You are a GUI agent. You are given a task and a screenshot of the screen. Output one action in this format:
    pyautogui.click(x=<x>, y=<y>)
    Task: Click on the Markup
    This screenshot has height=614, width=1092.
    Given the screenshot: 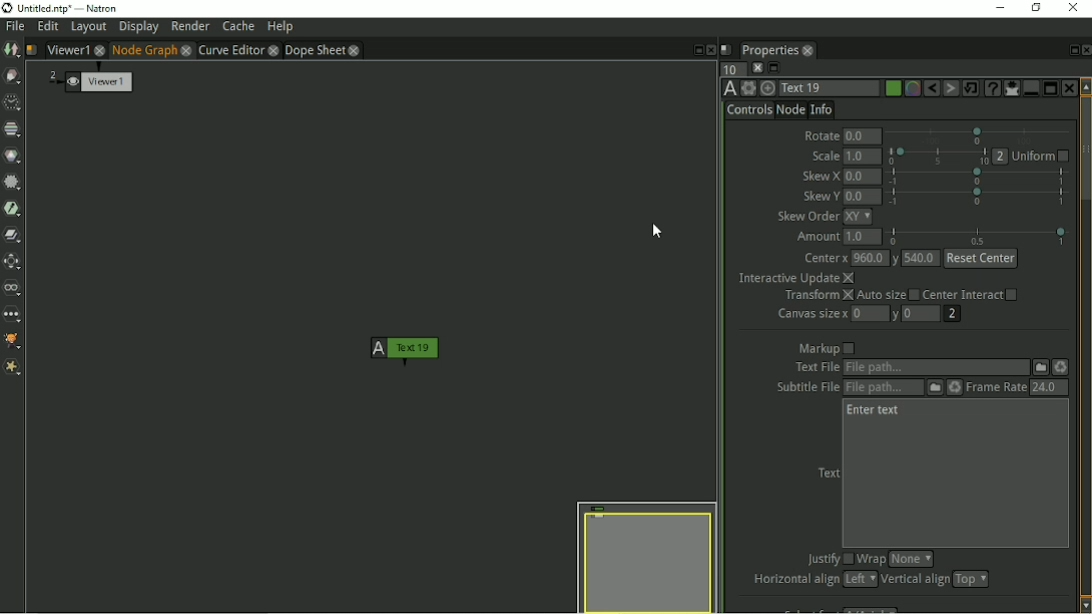 What is the action you would take?
    pyautogui.click(x=825, y=348)
    